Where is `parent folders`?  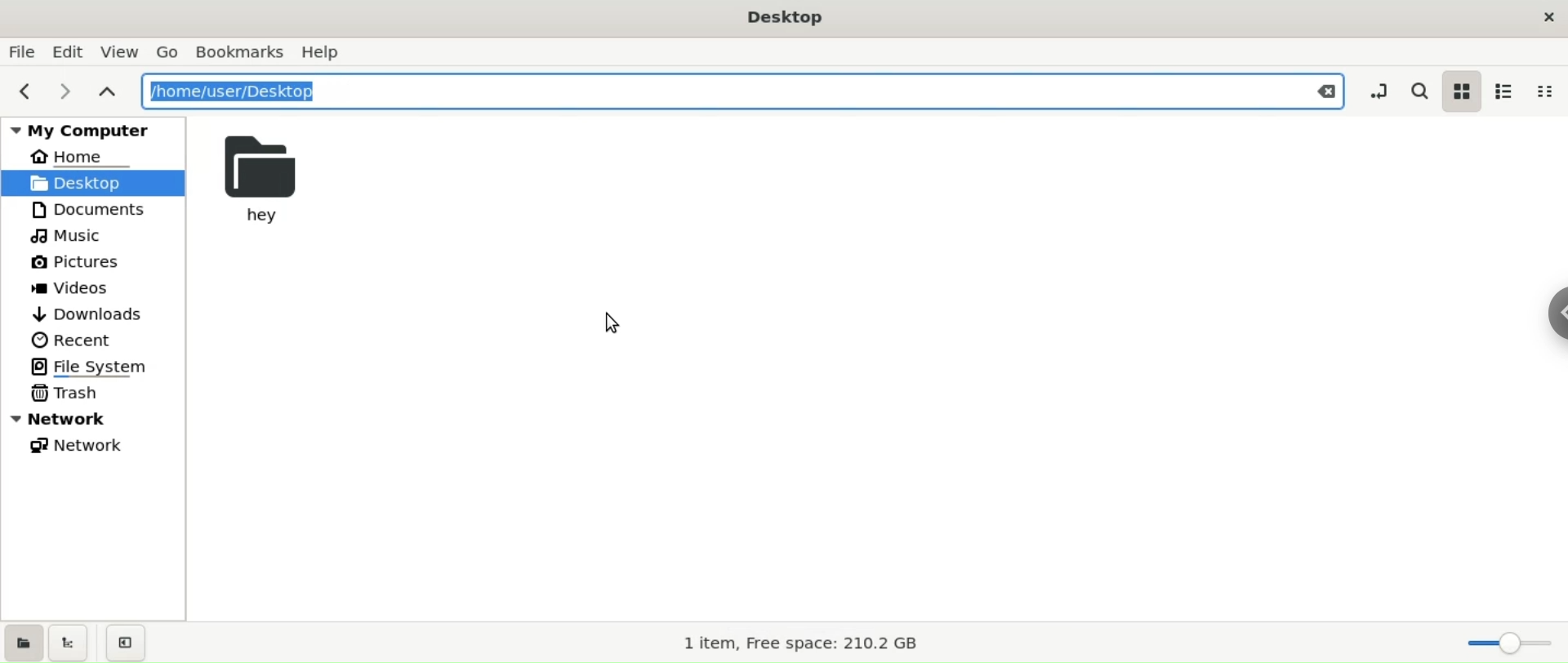
parent folders is located at coordinates (108, 89).